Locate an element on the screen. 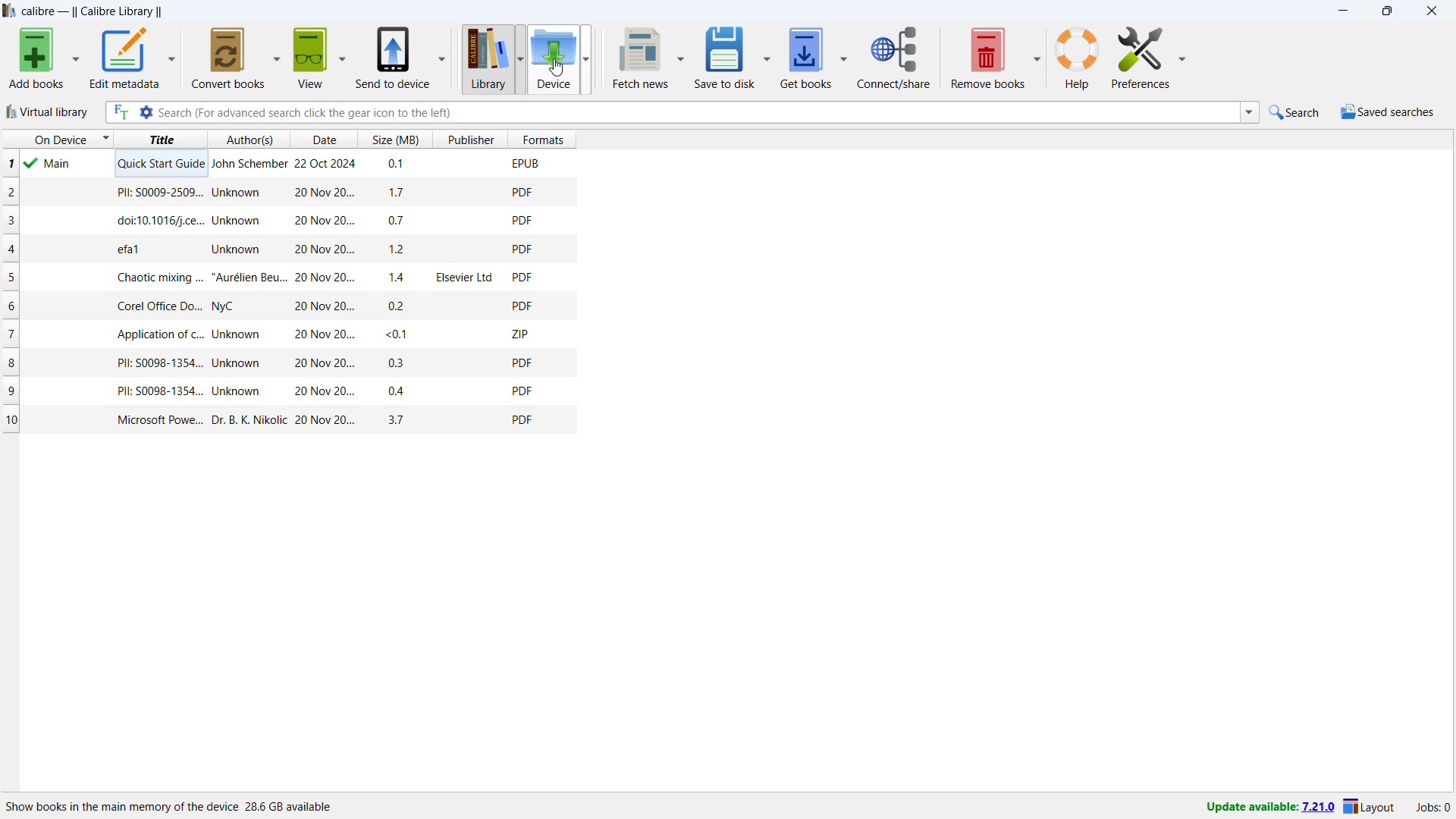 This screenshot has height=819, width=1456. send to device is located at coordinates (393, 56).